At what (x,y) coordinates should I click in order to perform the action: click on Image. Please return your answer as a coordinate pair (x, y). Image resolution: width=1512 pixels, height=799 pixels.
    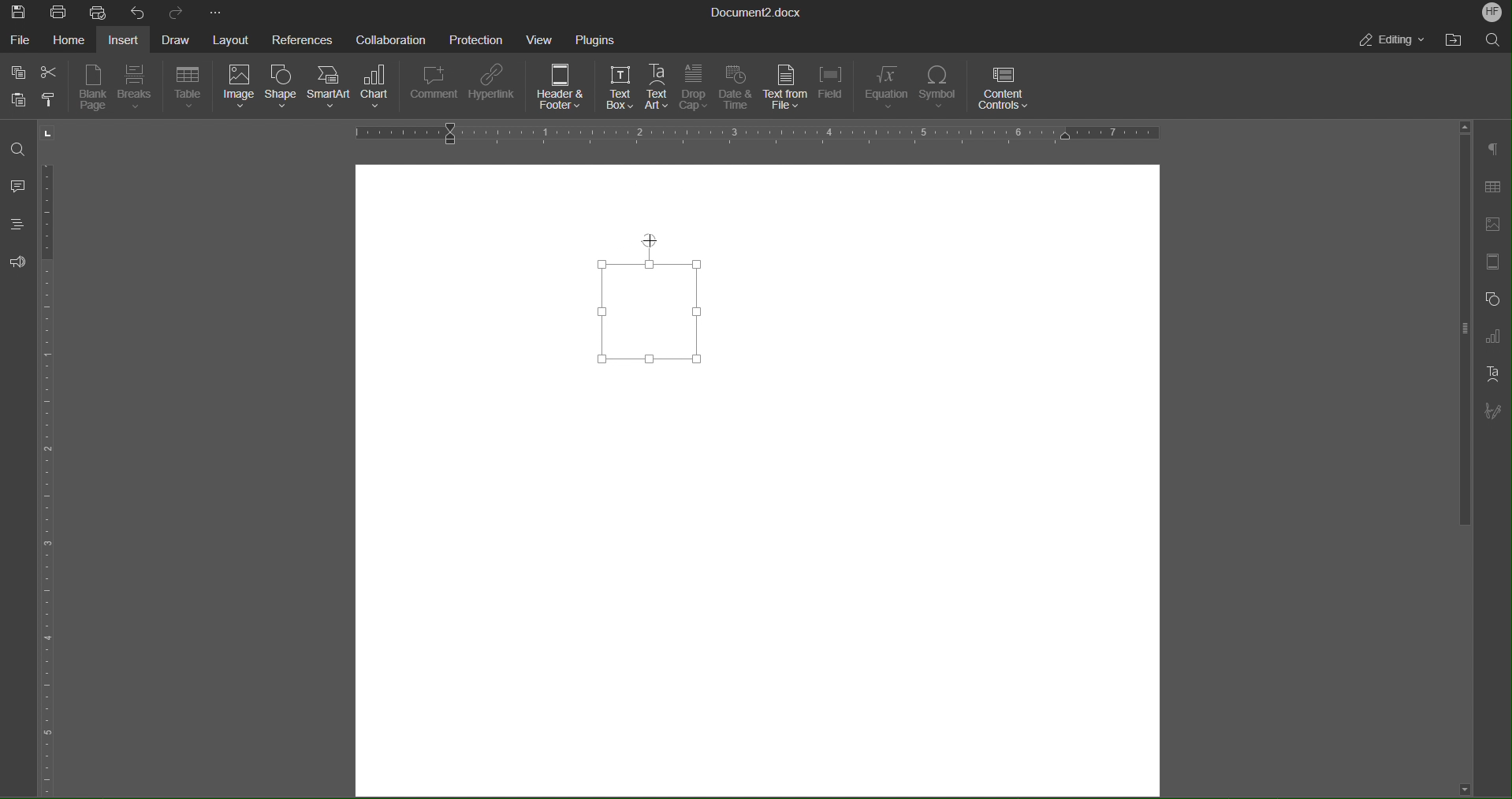
    Looking at the image, I should click on (238, 89).